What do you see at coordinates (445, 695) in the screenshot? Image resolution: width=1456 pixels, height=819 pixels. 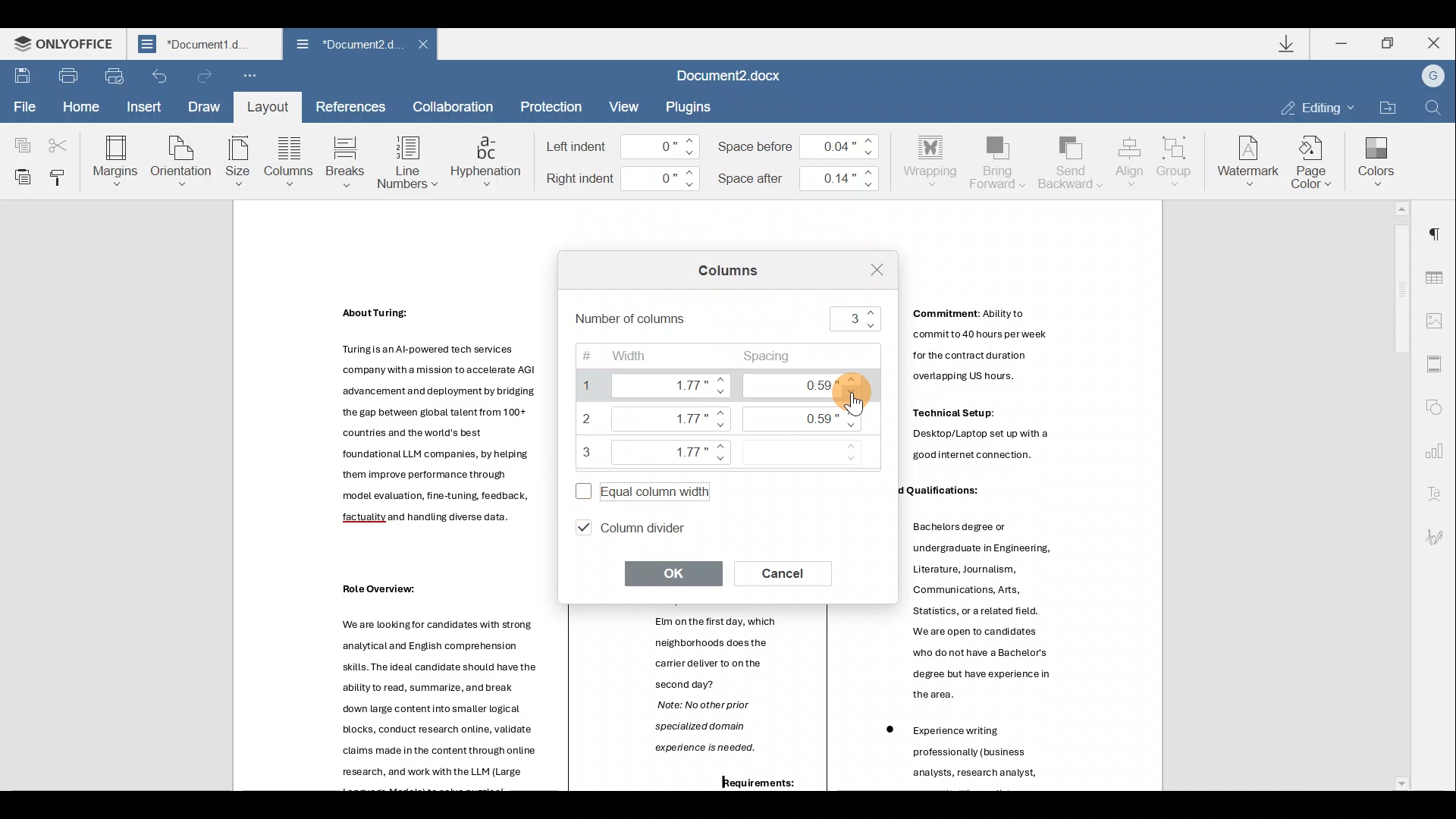 I see `` at bounding box center [445, 695].